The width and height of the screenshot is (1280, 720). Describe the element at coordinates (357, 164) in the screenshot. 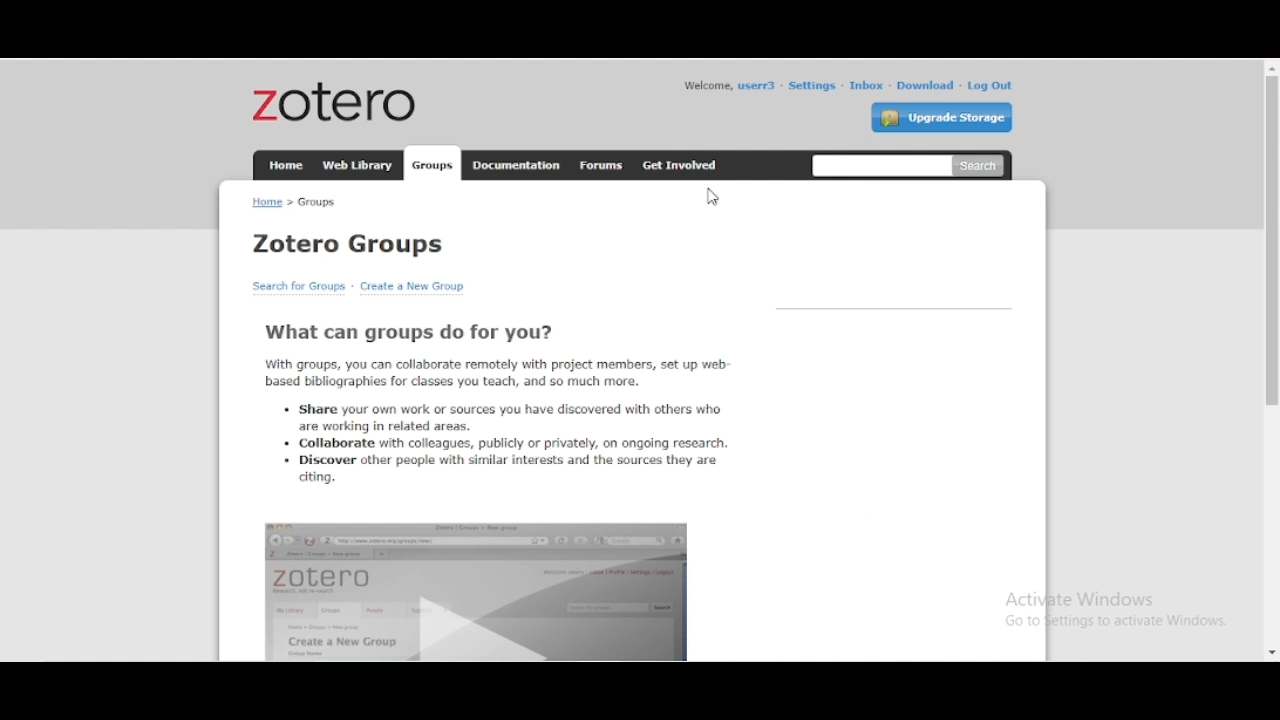

I see `web library` at that location.